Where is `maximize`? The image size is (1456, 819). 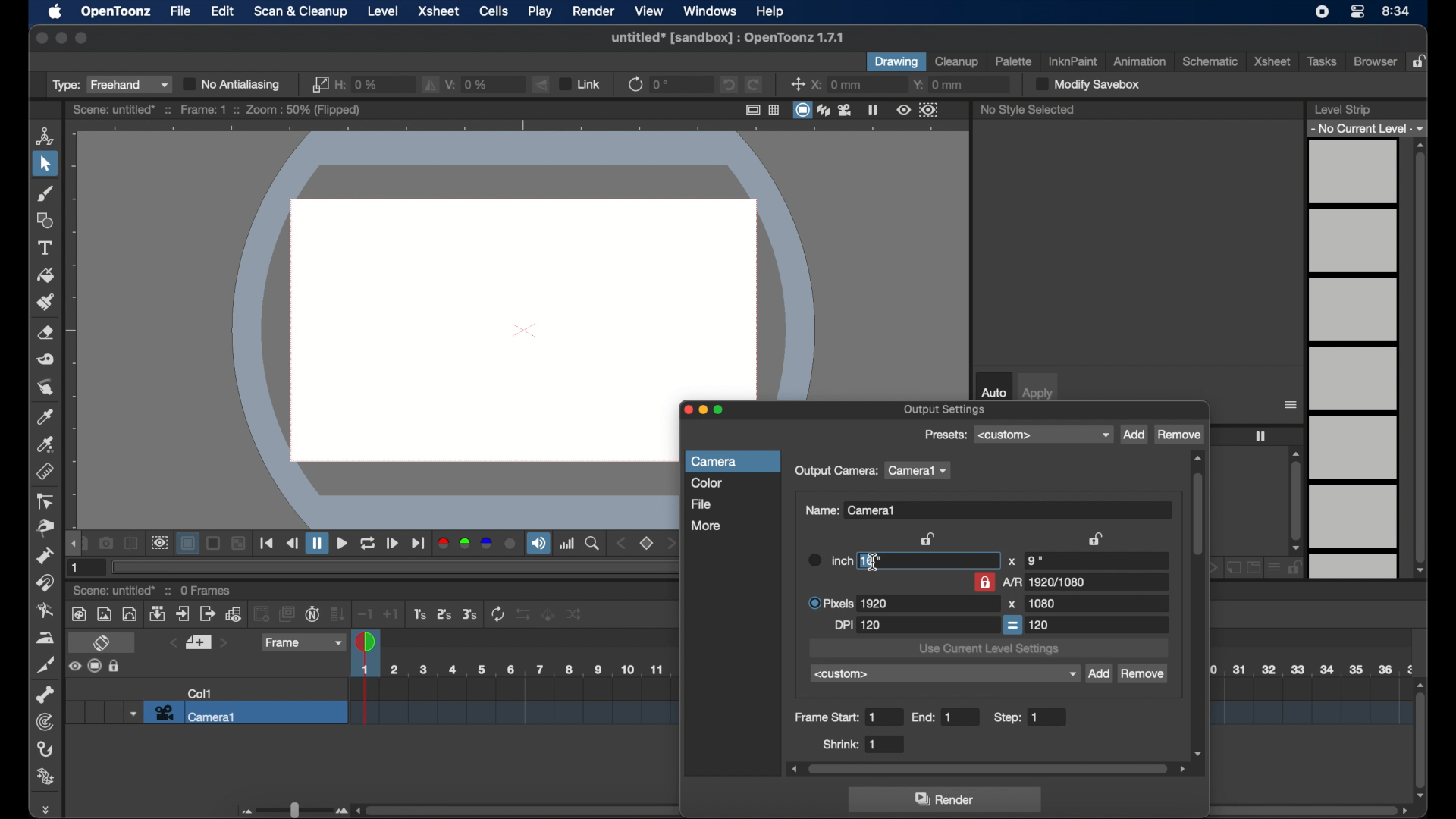 maximize is located at coordinates (82, 38).